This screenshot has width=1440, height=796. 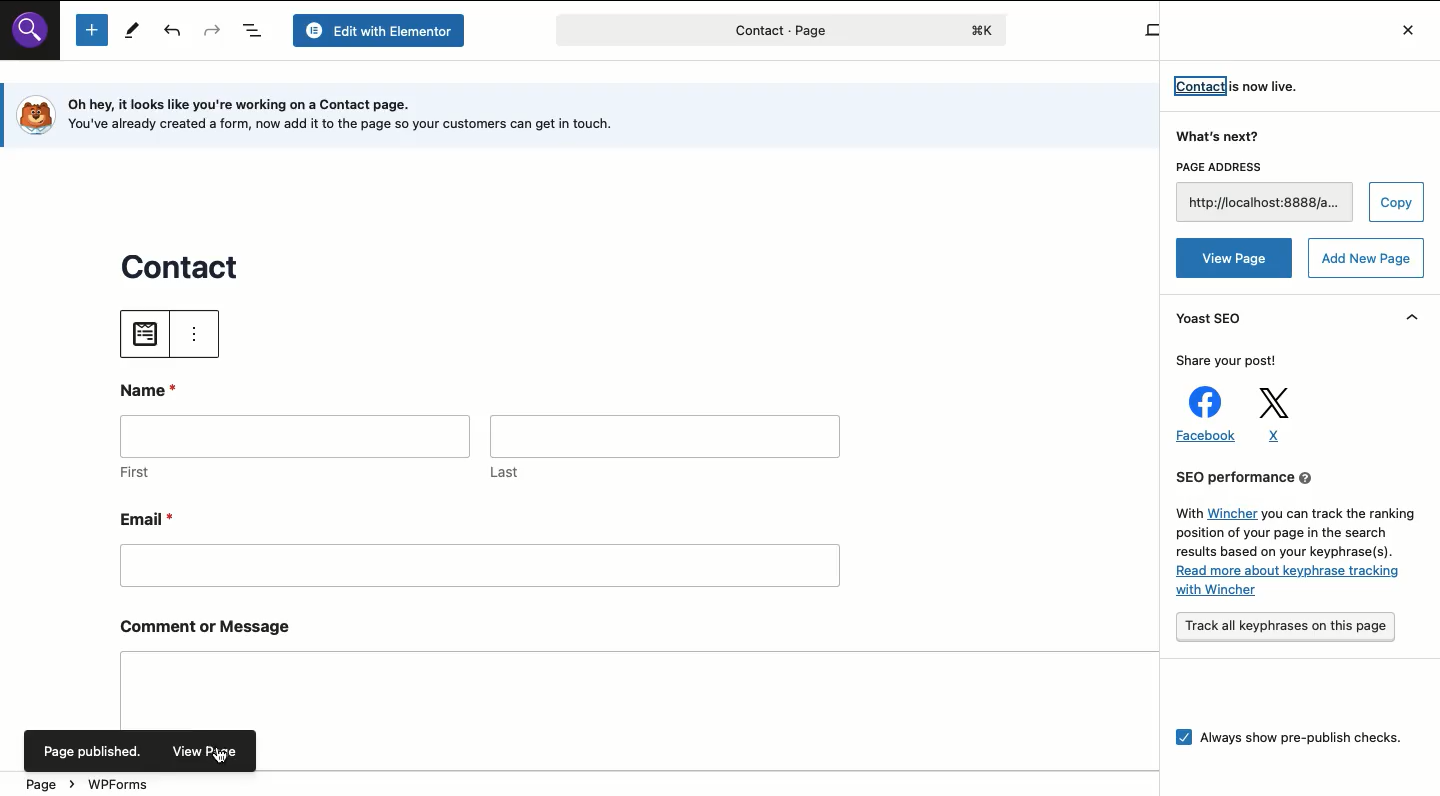 What do you see at coordinates (90, 785) in the screenshot?
I see `Page > WPForms` at bounding box center [90, 785].